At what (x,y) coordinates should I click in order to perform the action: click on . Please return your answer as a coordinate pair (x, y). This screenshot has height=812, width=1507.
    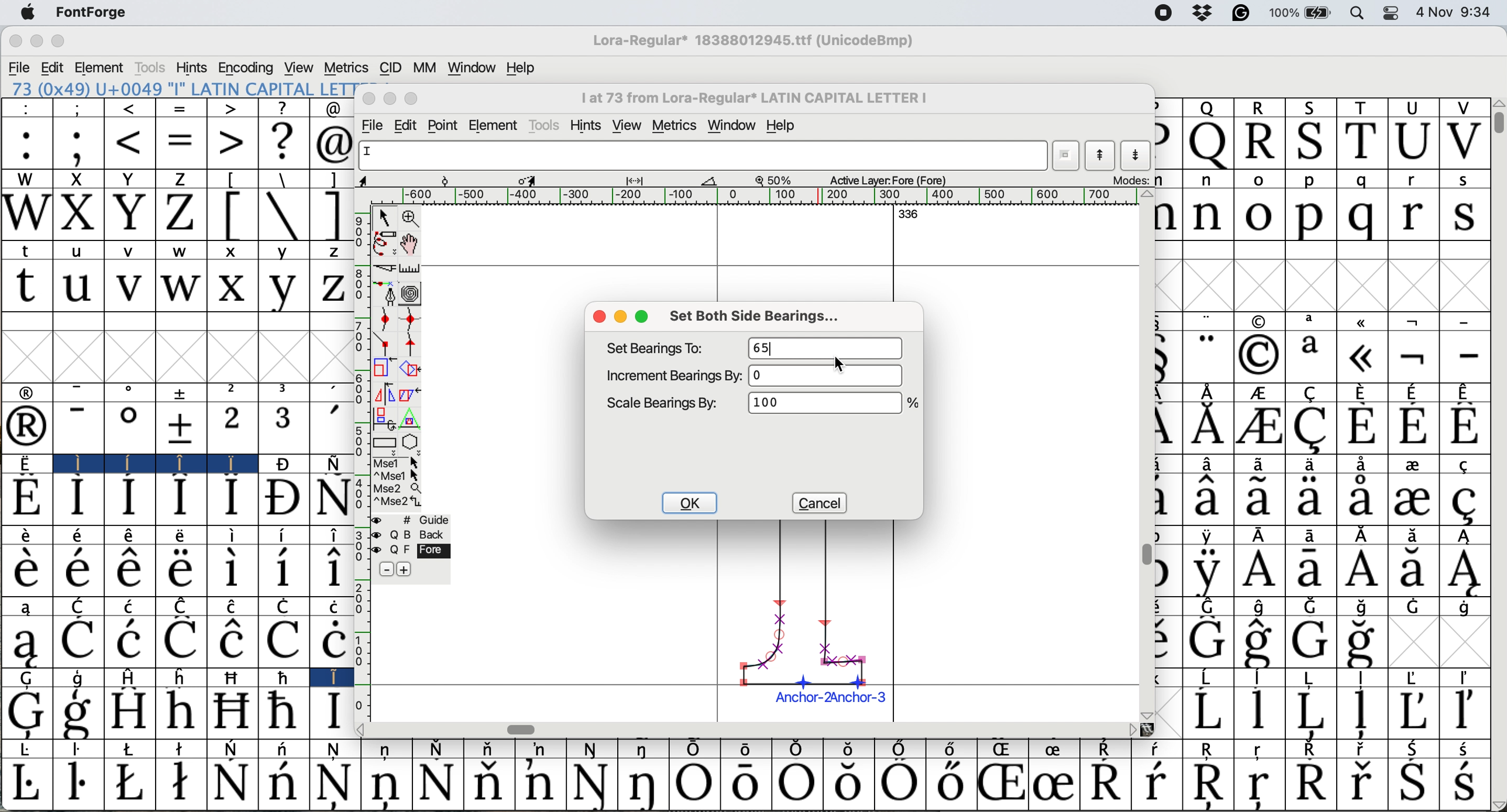
    Looking at the image, I should click on (1312, 393).